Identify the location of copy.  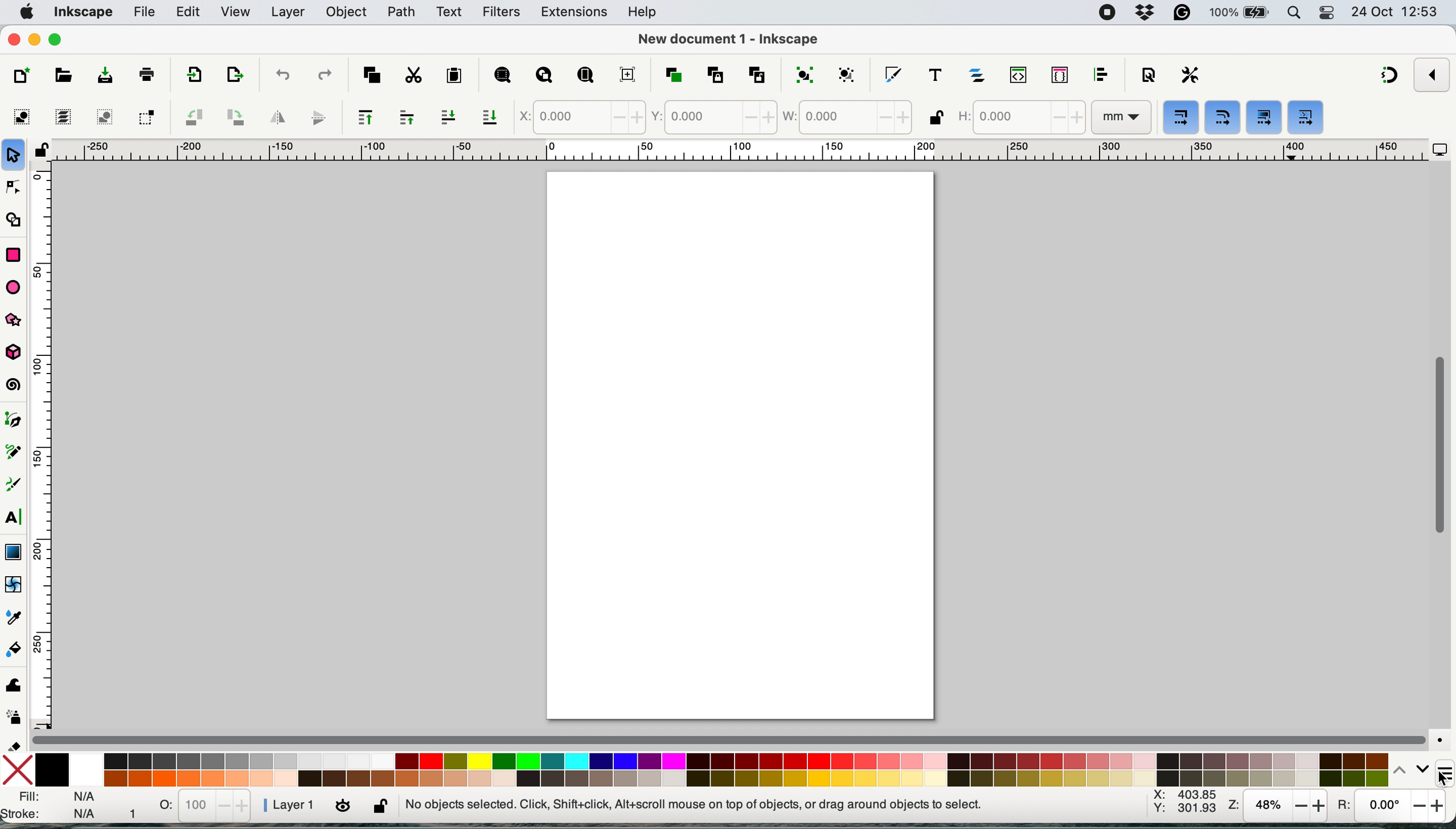
(372, 75).